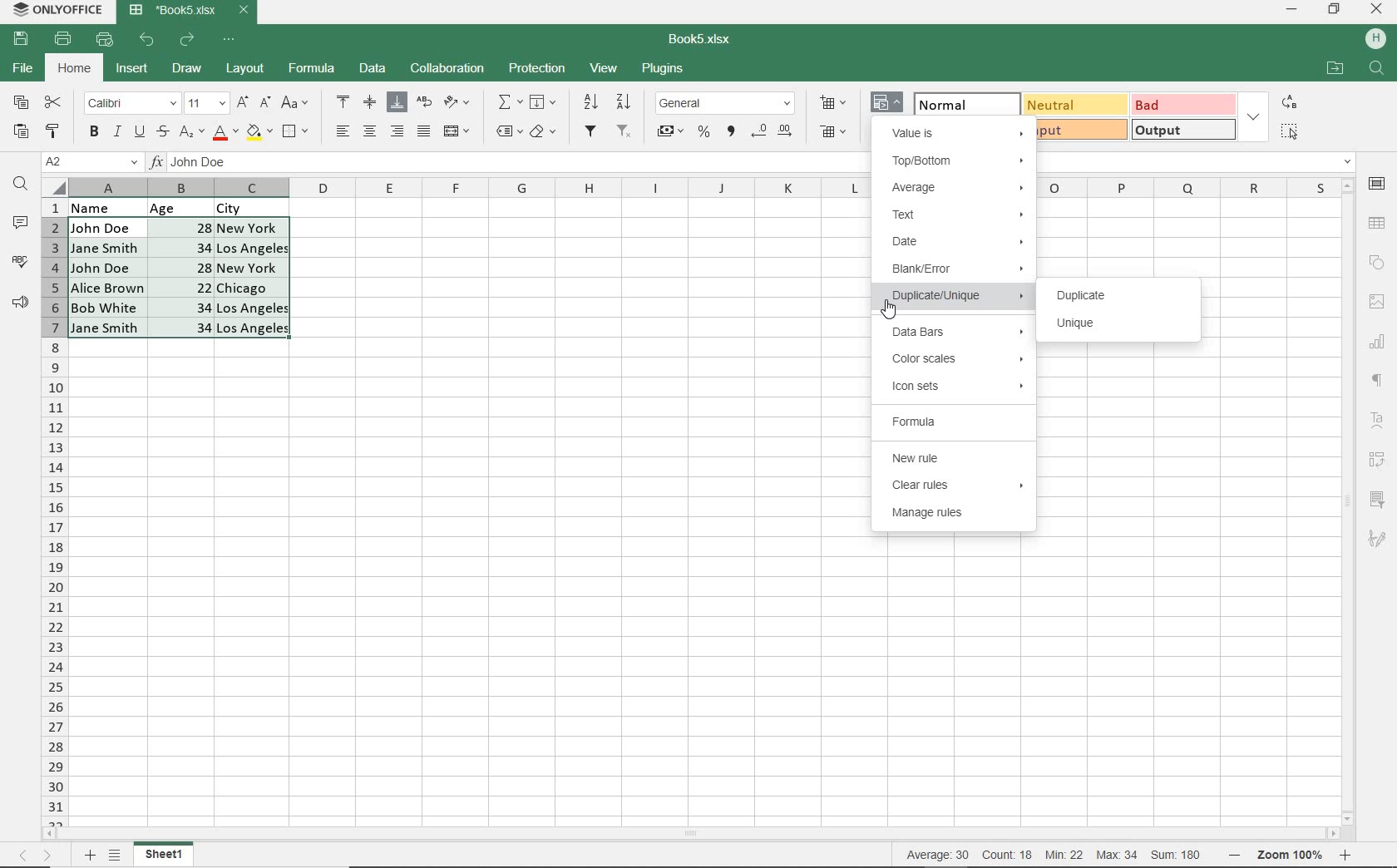 This screenshot has width=1397, height=868. What do you see at coordinates (605, 67) in the screenshot?
I see `VIEW` at bounding box center [605, 67].